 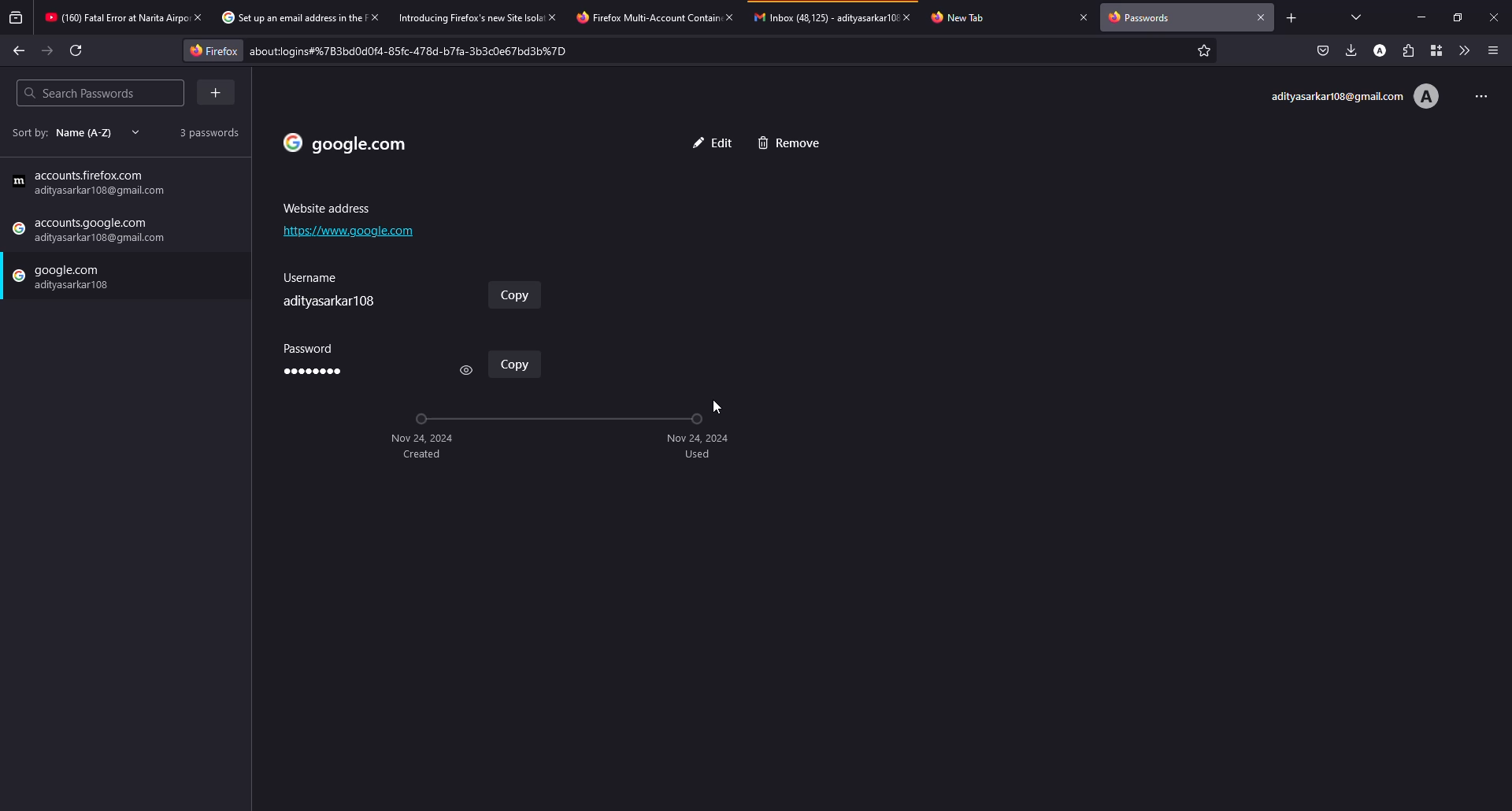 I want to click on password saved, so click(x=83, y=280).